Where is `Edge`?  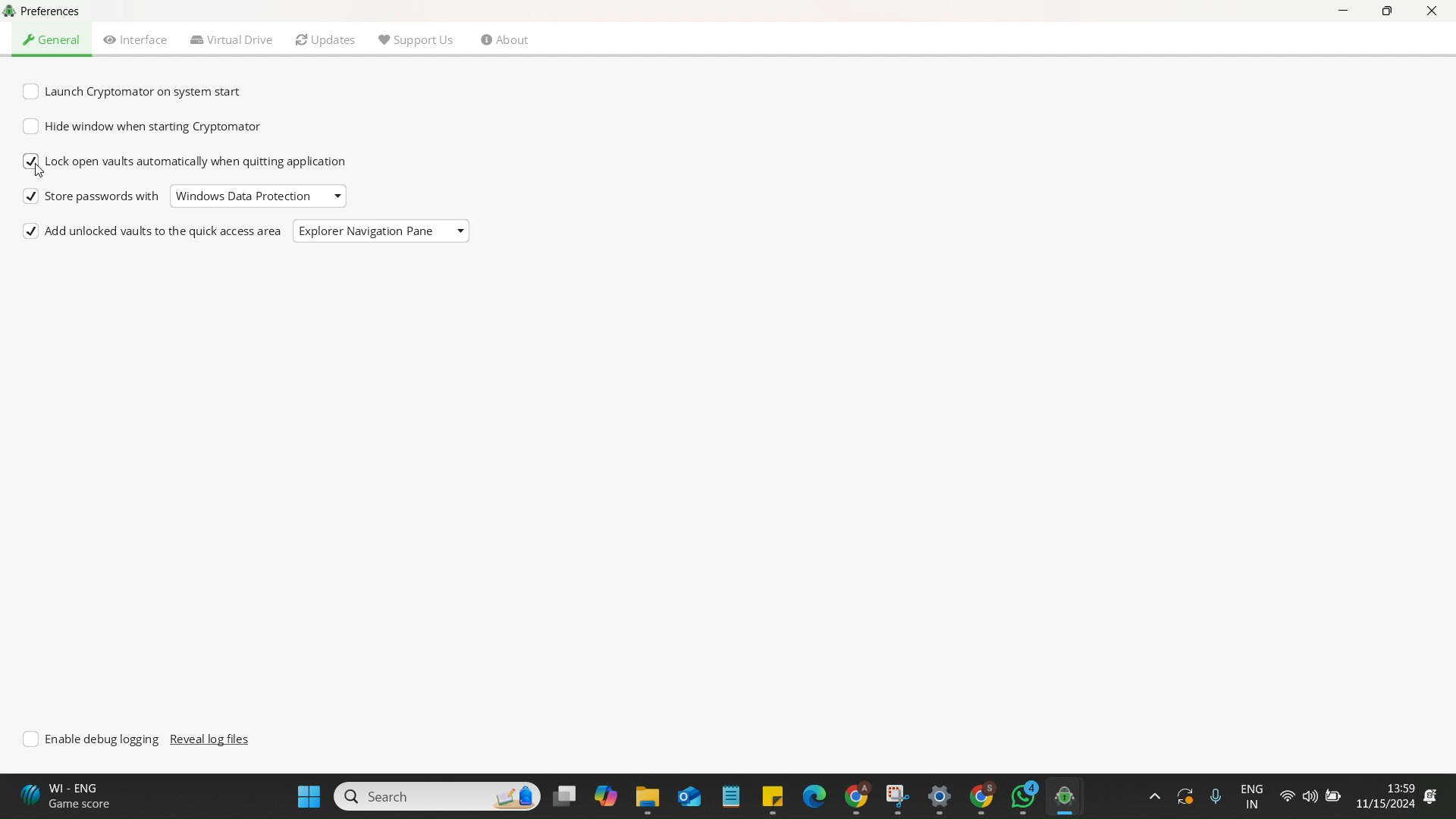 Edge is located at coordinates (811, 795).